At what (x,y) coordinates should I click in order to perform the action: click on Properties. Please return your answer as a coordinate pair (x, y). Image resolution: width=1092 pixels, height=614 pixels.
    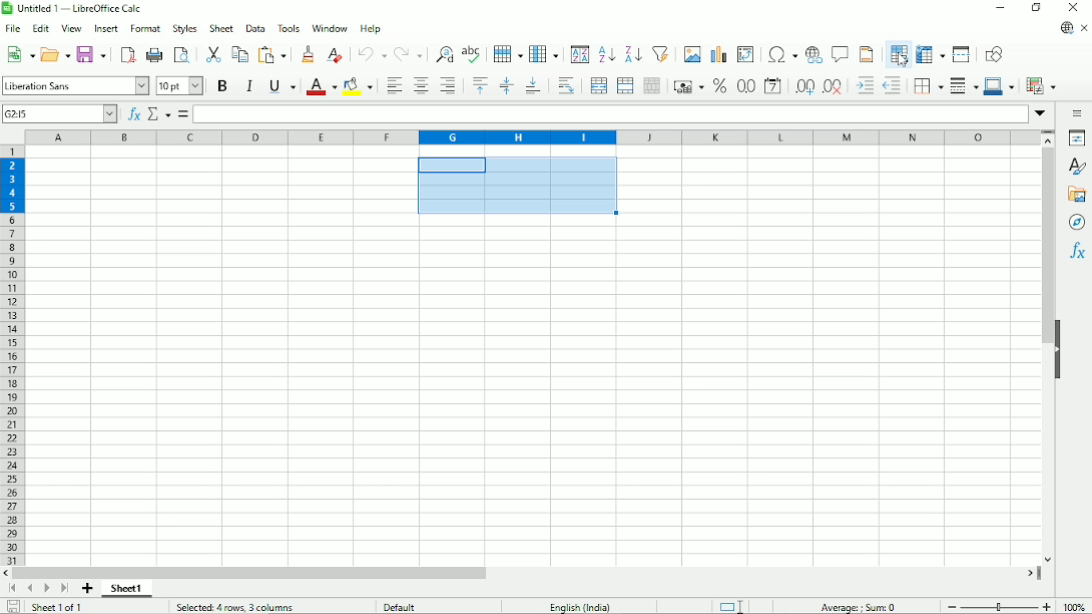
    Looking at the image, I should click on (1075, 137).